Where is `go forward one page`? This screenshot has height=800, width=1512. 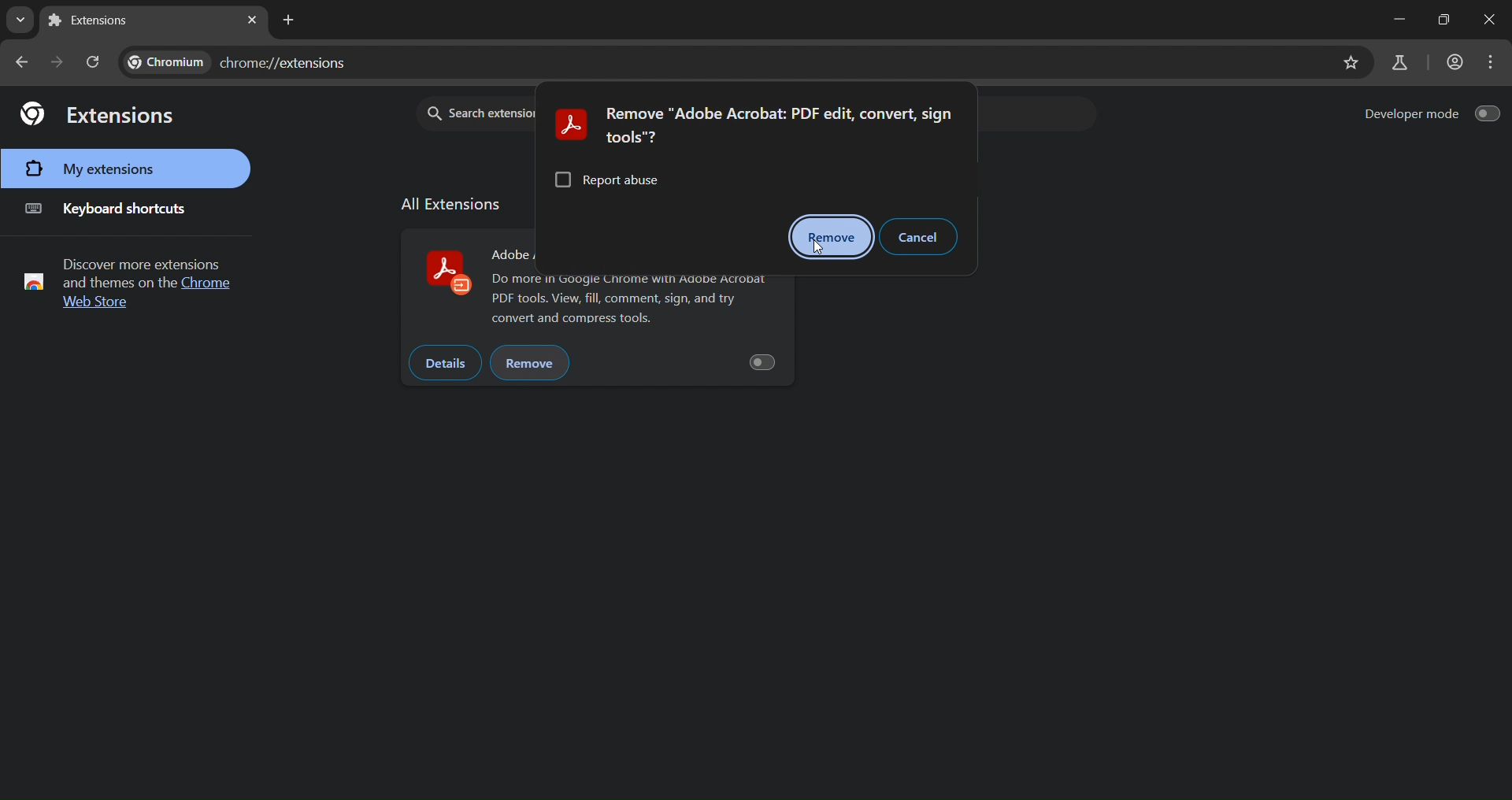 go forward one page is located at coordinates (60, 64).